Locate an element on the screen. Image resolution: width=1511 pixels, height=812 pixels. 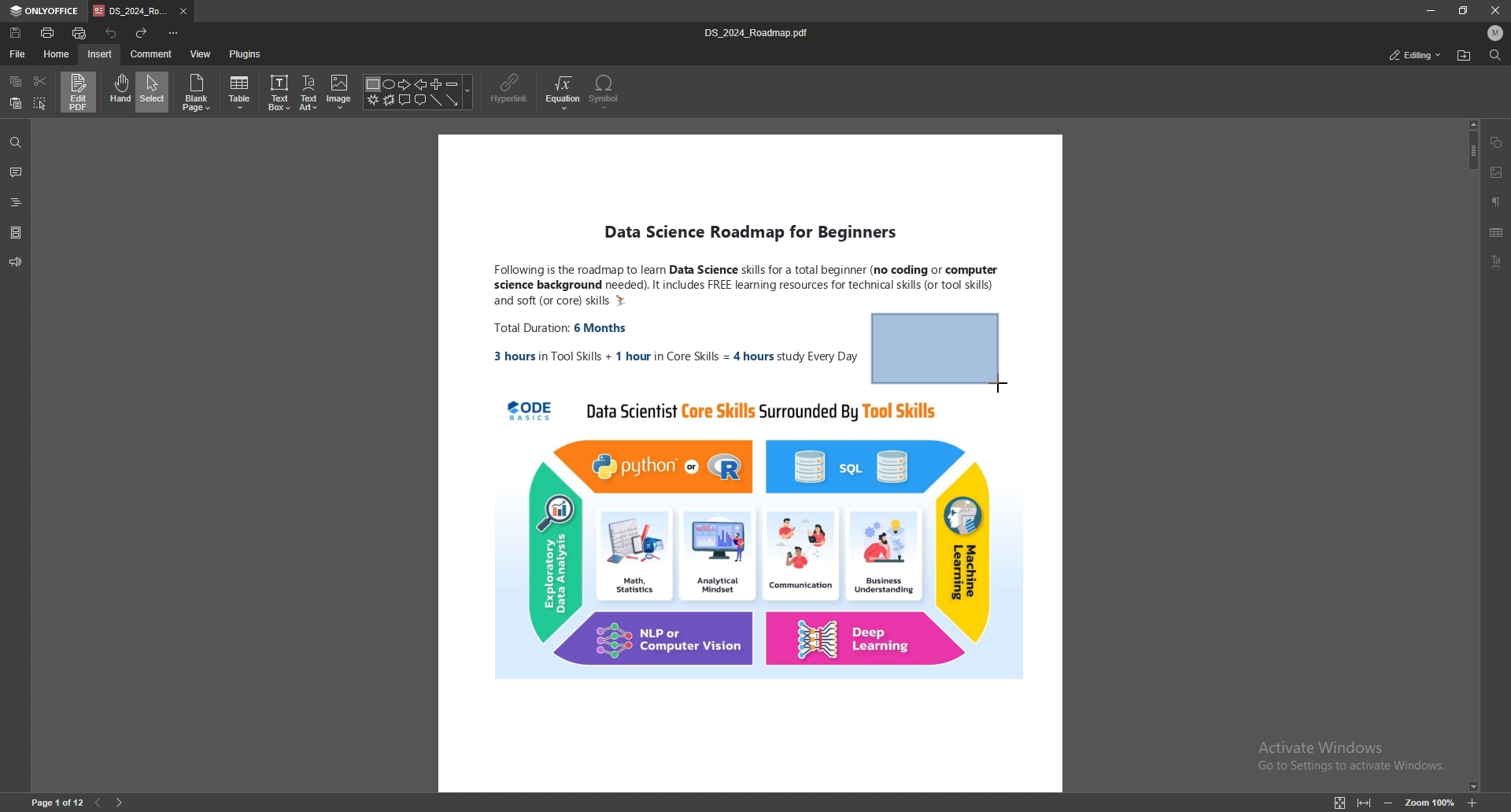
cursor is located at coordinates (1001, 386).